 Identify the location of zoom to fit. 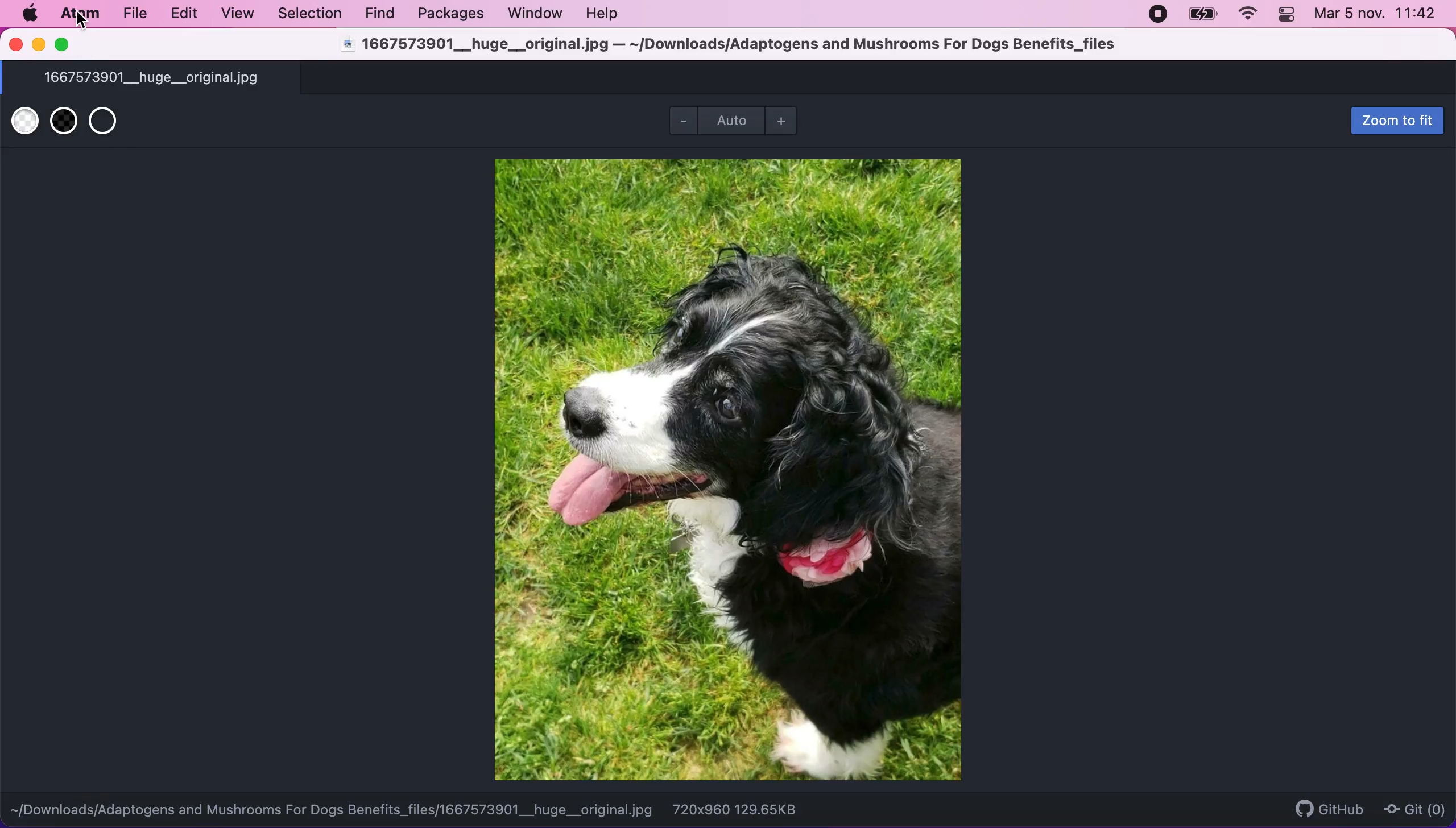
(1392, 124).